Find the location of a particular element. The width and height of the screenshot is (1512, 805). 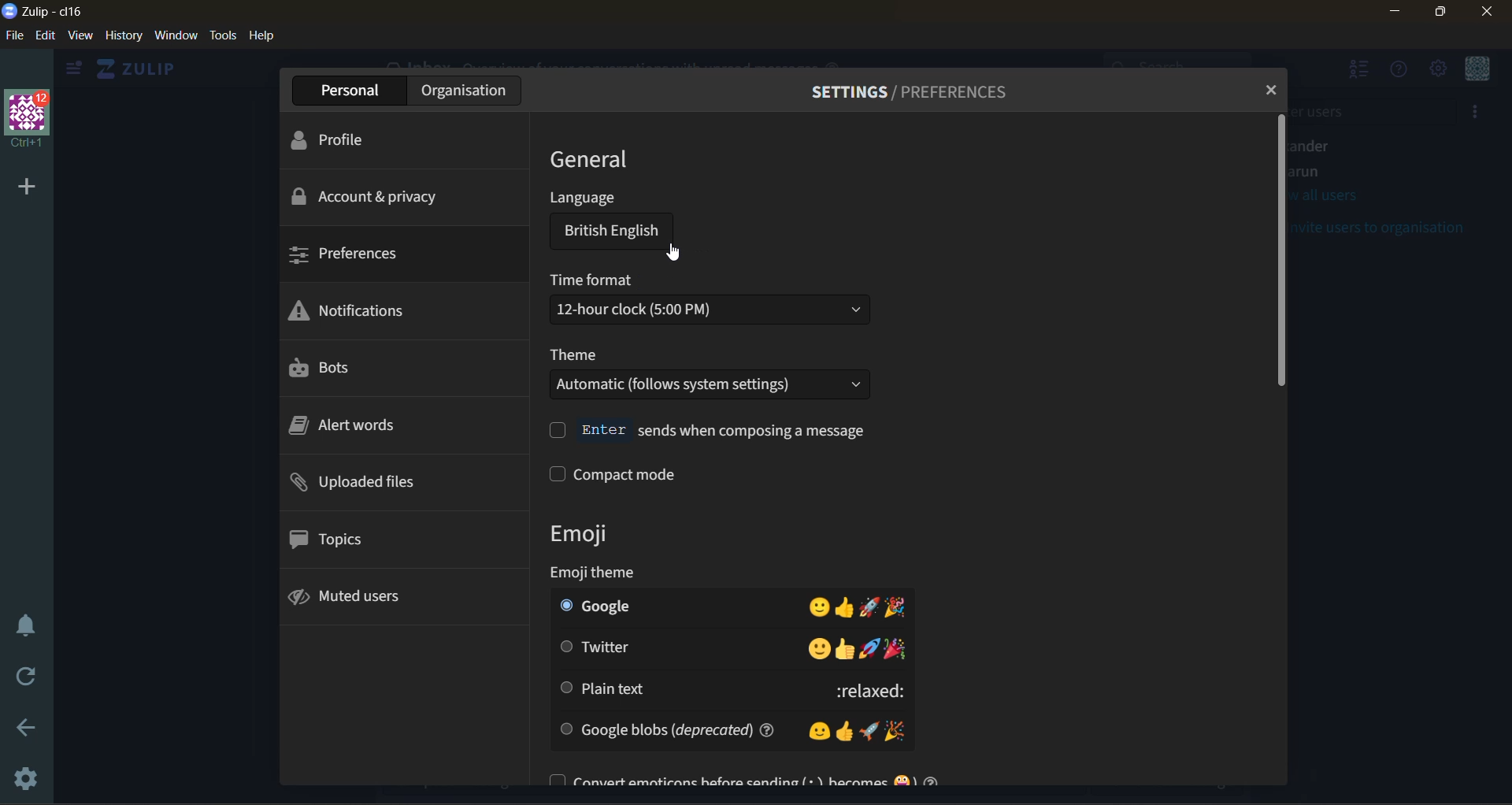

vertical scroll bar is located at coordinates (1281, 252).